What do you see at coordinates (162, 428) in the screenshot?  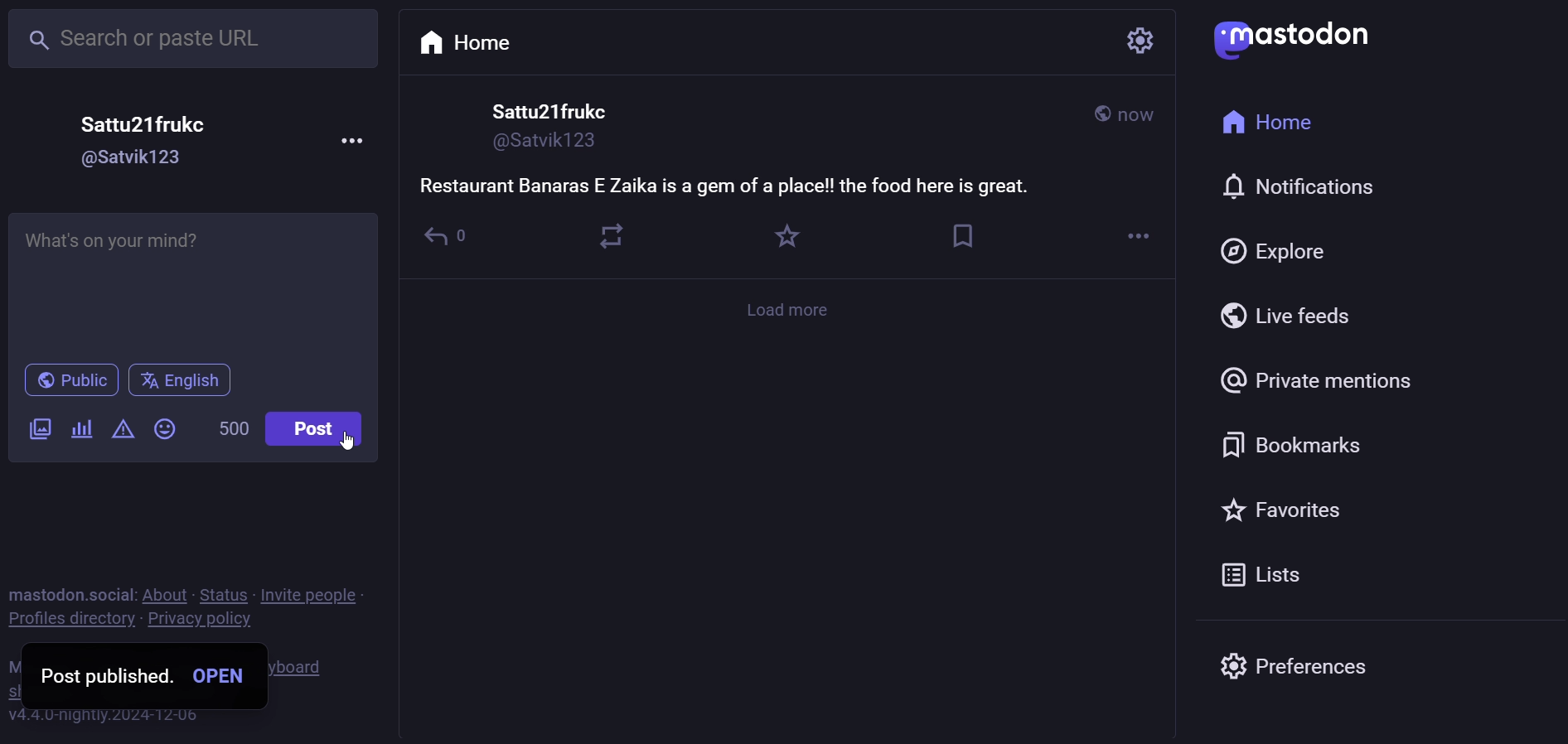 I see `emoji` at bounding box center [162, 428].